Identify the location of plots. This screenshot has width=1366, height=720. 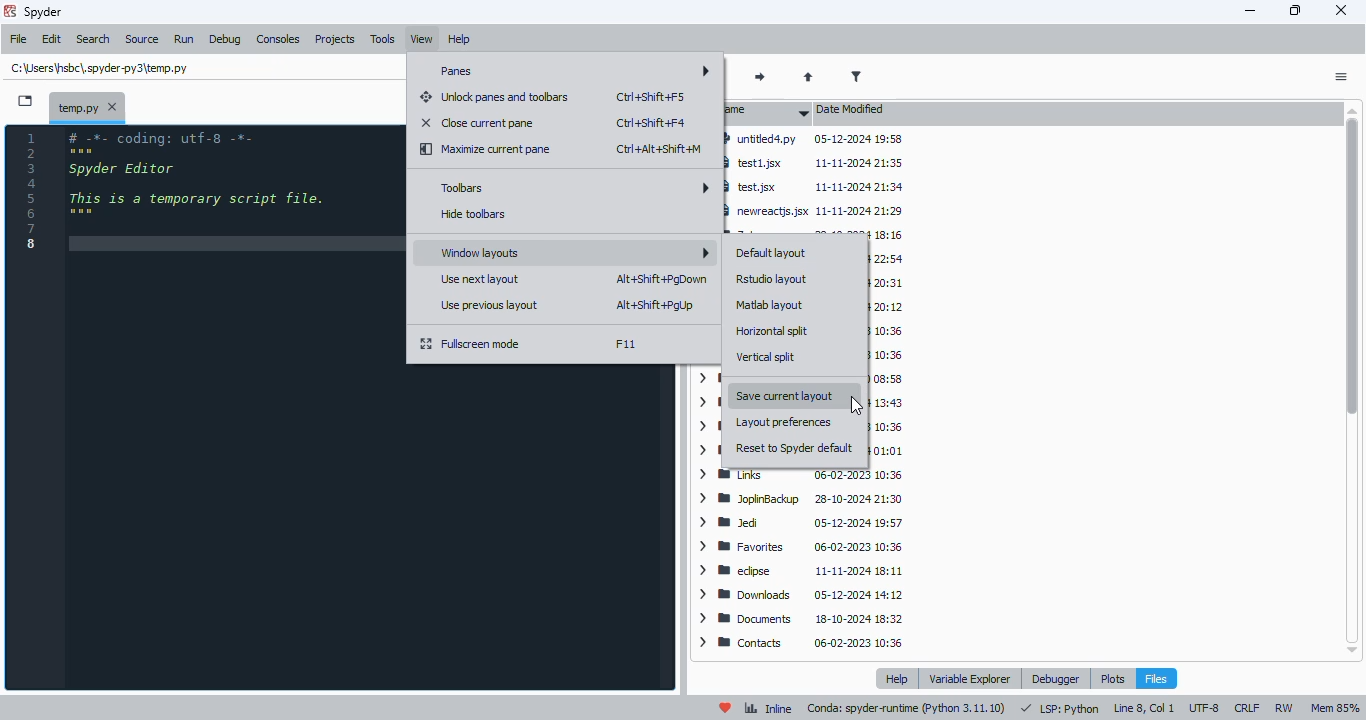
(1113, 677).